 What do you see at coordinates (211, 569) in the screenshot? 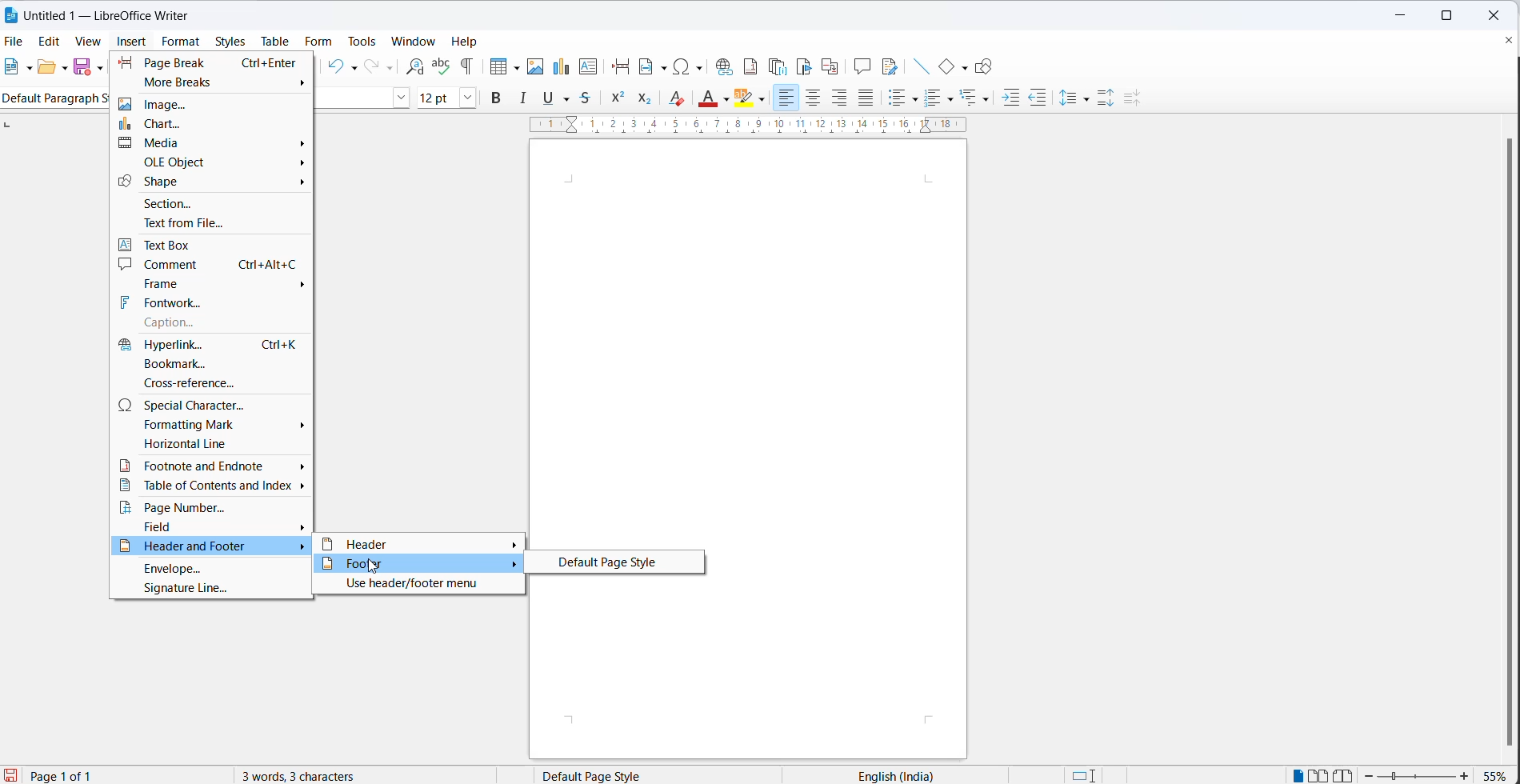
I see `envelope ` at bounding box center [211, 569].